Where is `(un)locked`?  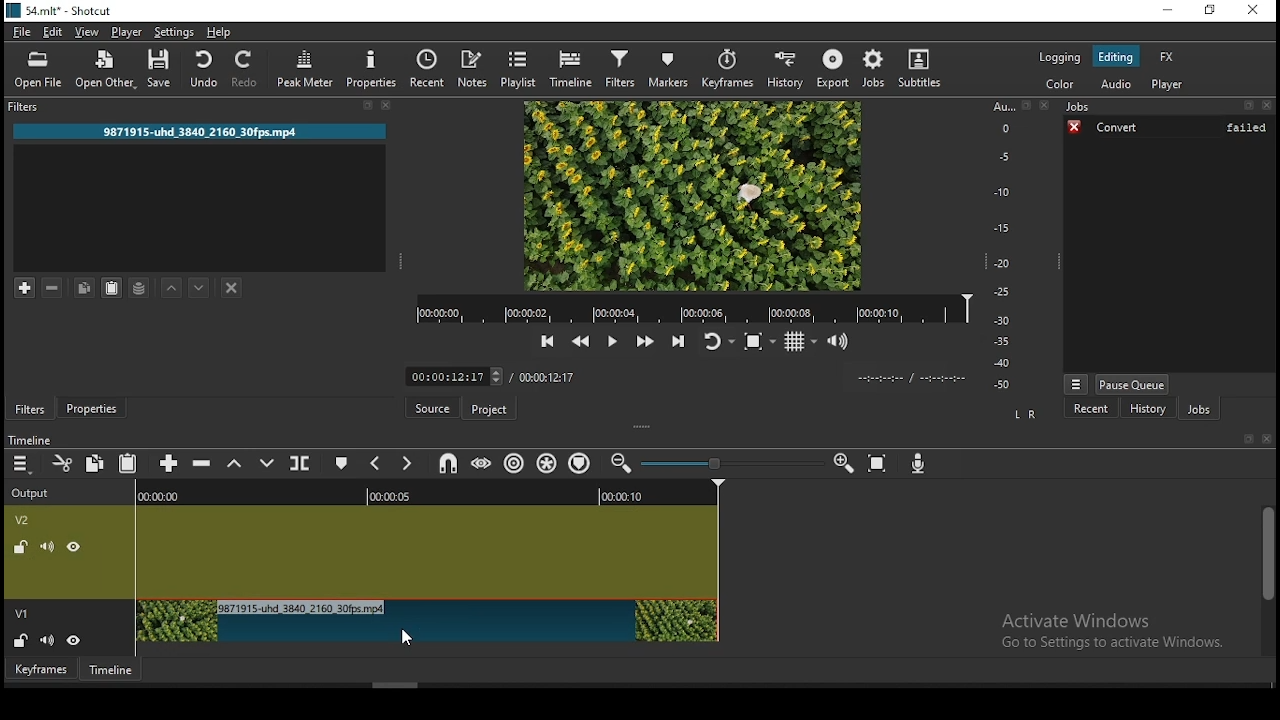 (un)locked is located at coordinates (23, 548).